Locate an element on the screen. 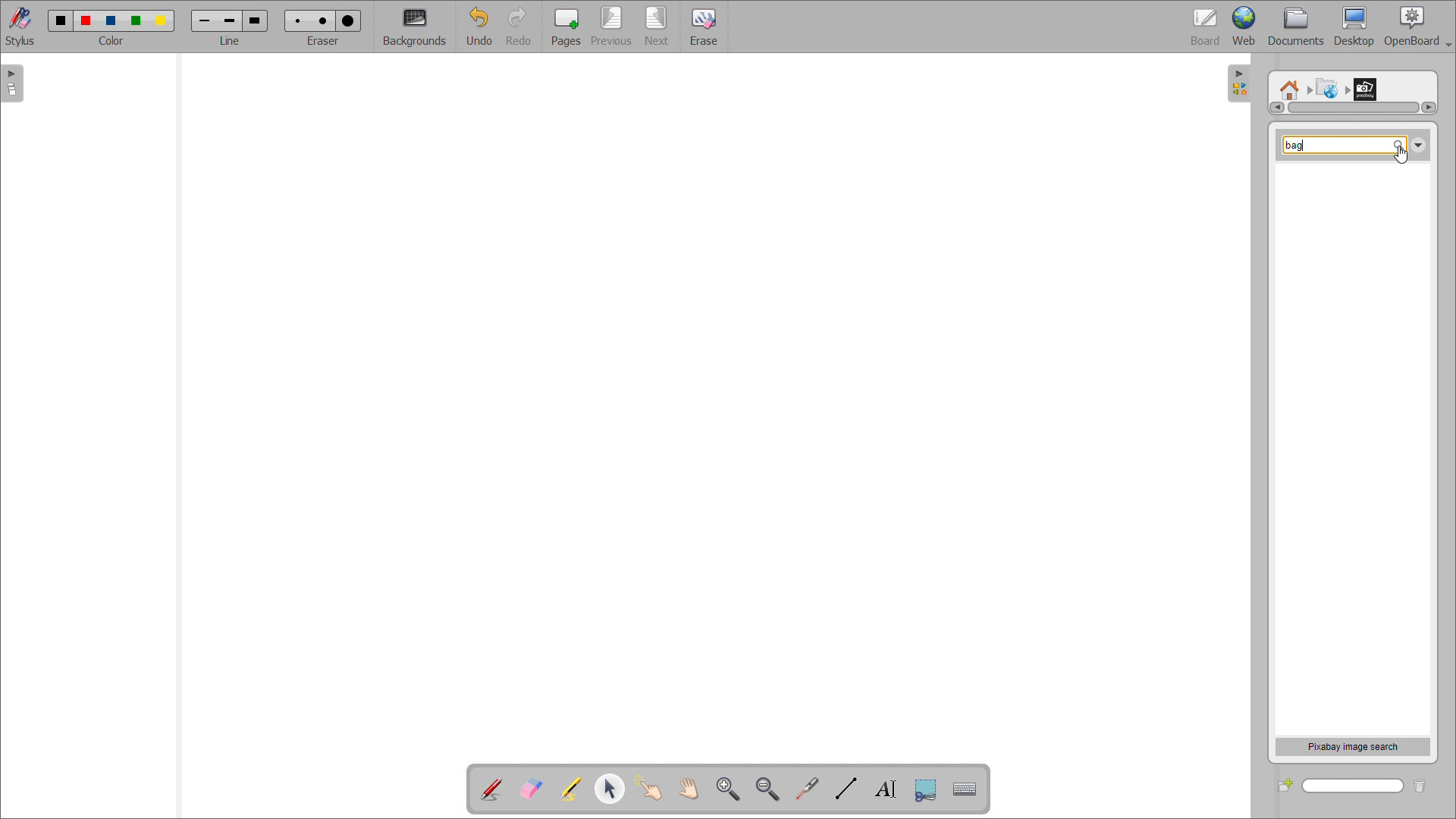  draw lines is located at coordinates (846, 789).